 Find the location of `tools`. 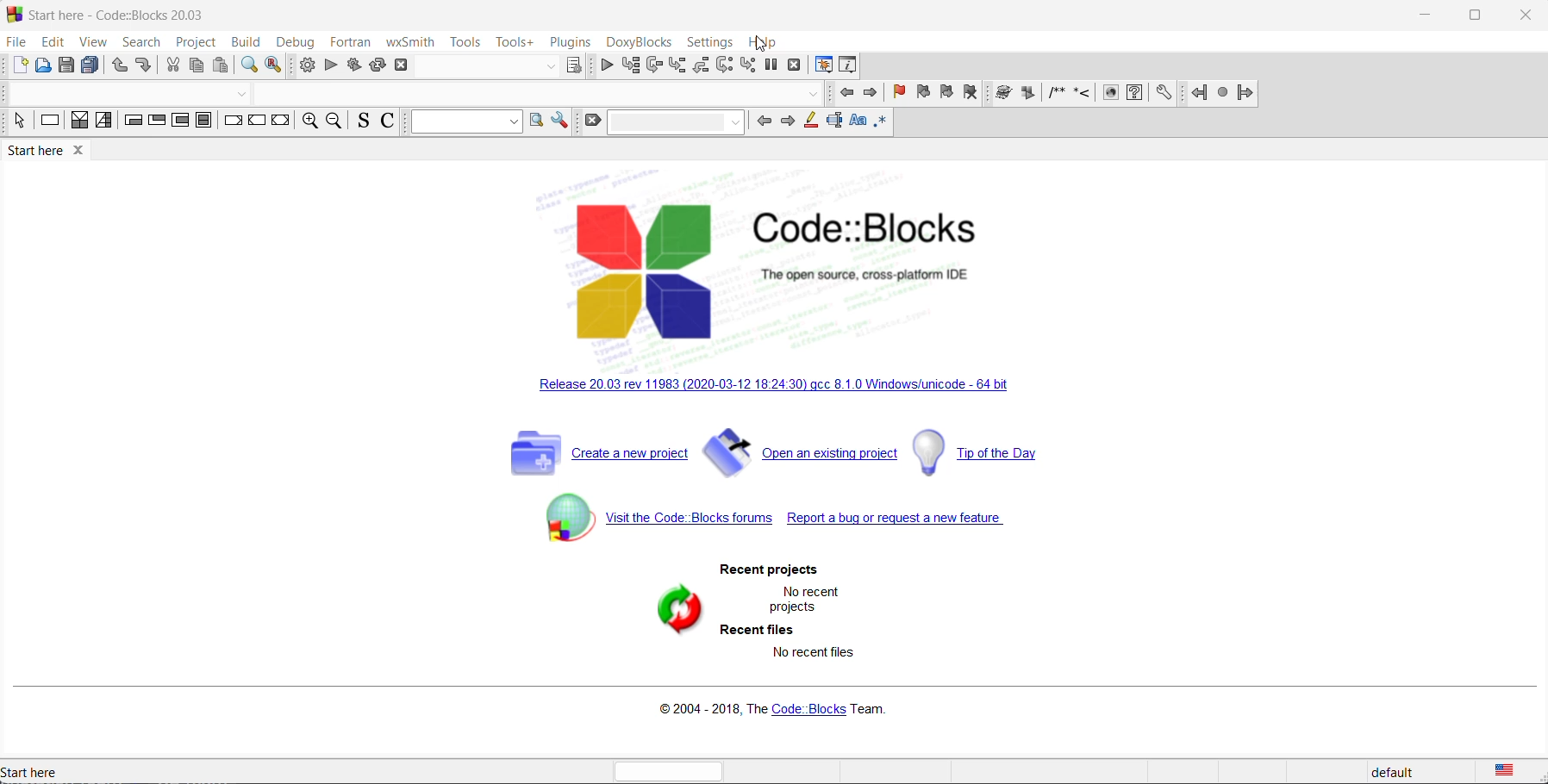

tools is located at coordinates (466, 41).